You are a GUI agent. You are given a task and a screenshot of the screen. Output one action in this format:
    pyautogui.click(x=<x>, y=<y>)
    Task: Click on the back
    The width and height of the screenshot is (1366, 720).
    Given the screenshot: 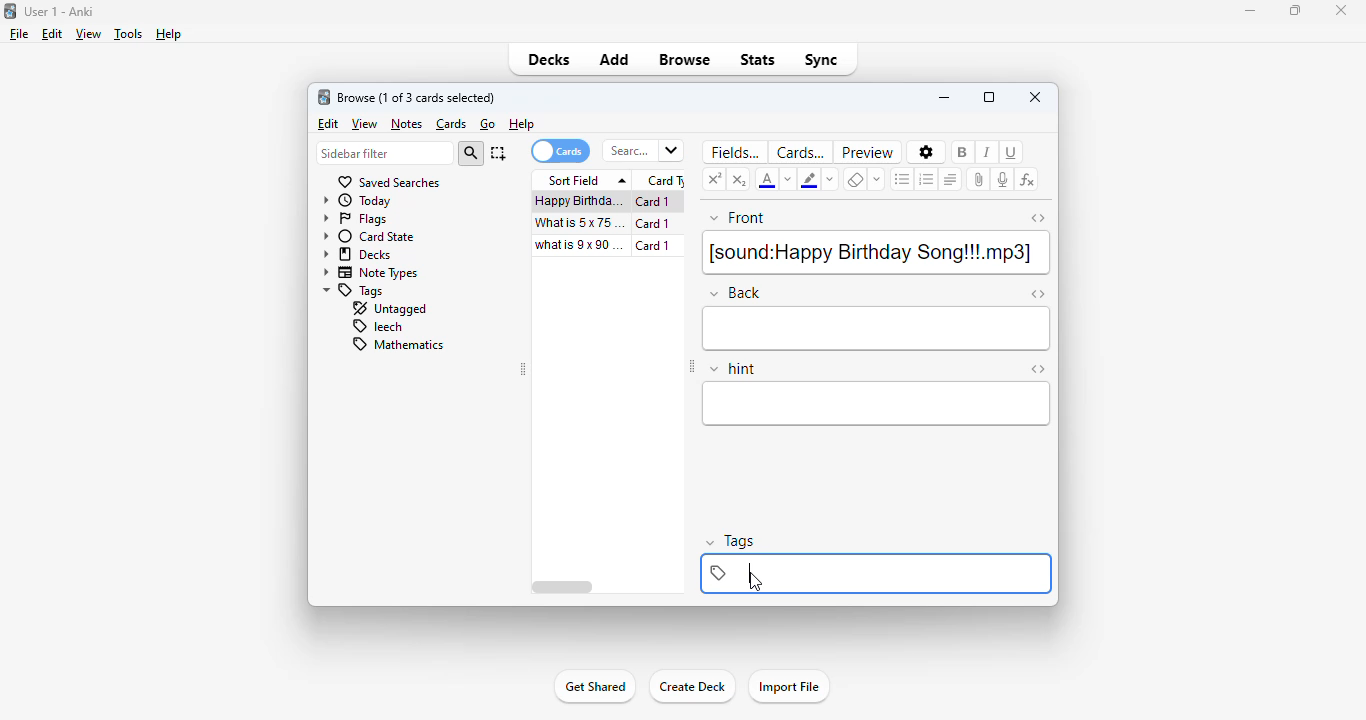 What is the action you would take?
    pyautogui.click(x=734, y=292)
    